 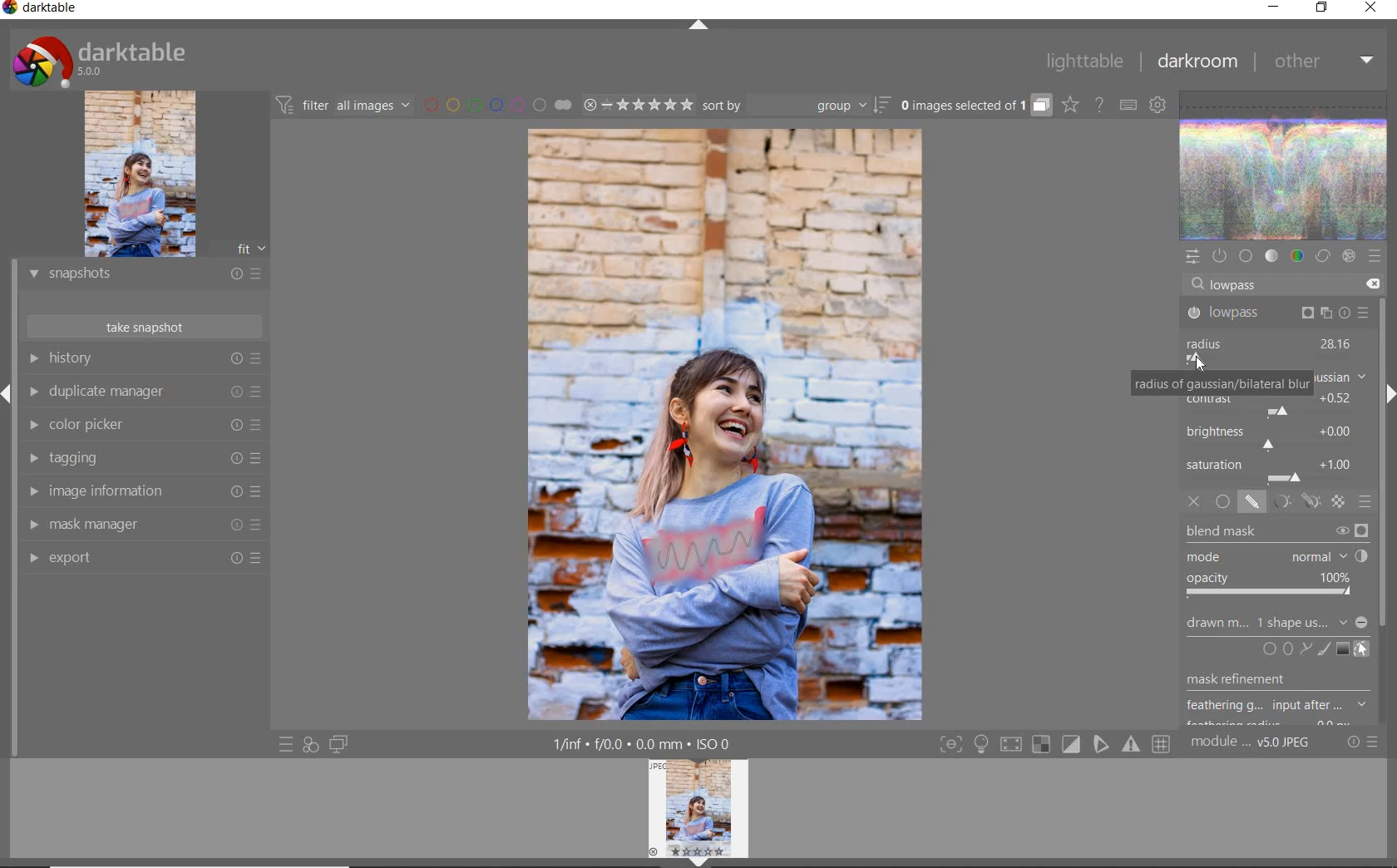 I want to click on filter all images by module order, so click(x=344, y=106).